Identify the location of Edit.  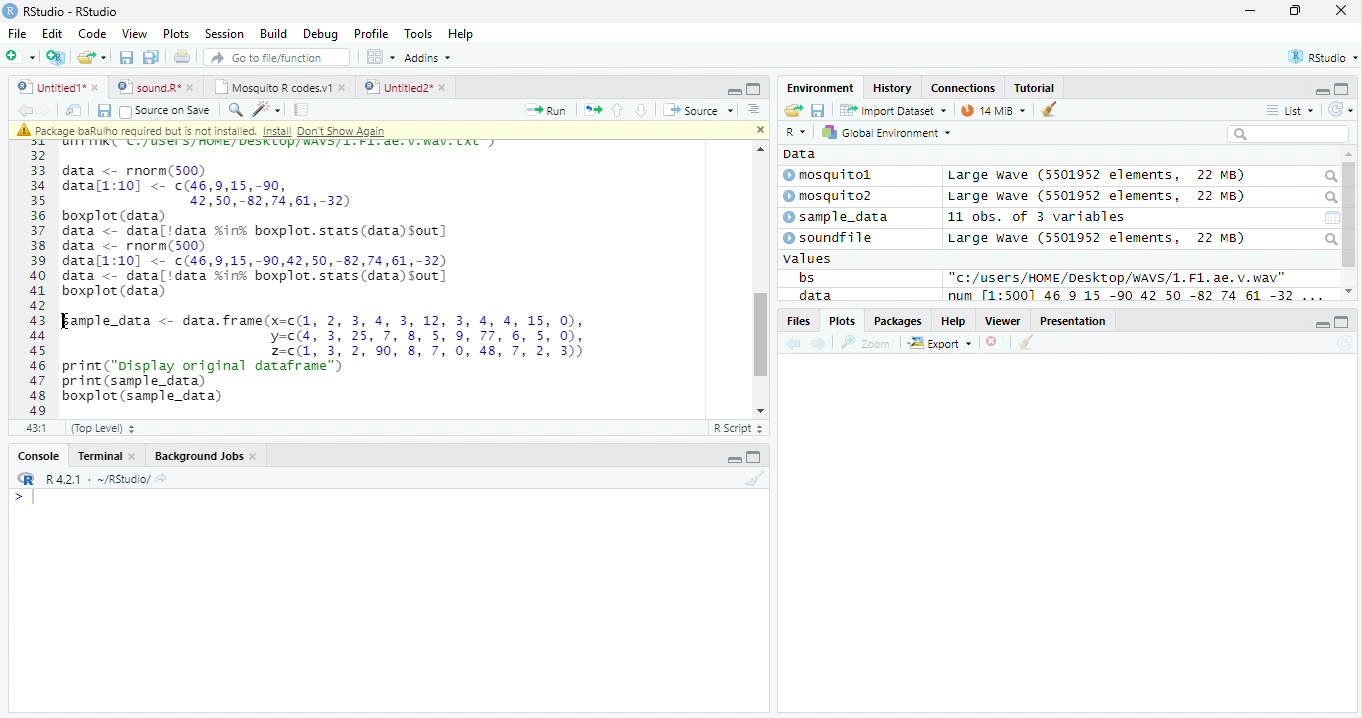
(53, 34).